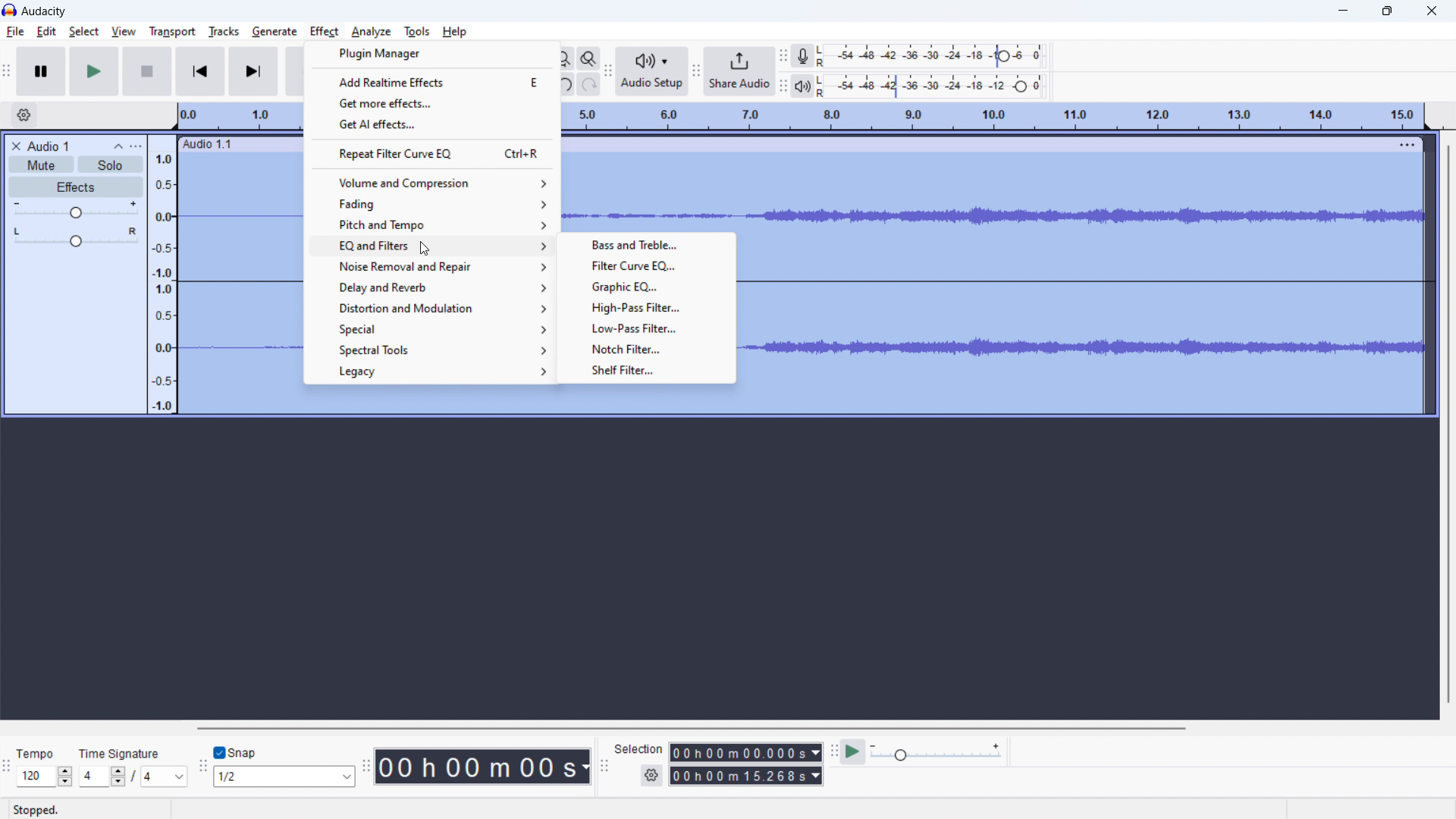 The height and width of the screenshot is (819, 1456). I want to click on pause, so click(42, 71).